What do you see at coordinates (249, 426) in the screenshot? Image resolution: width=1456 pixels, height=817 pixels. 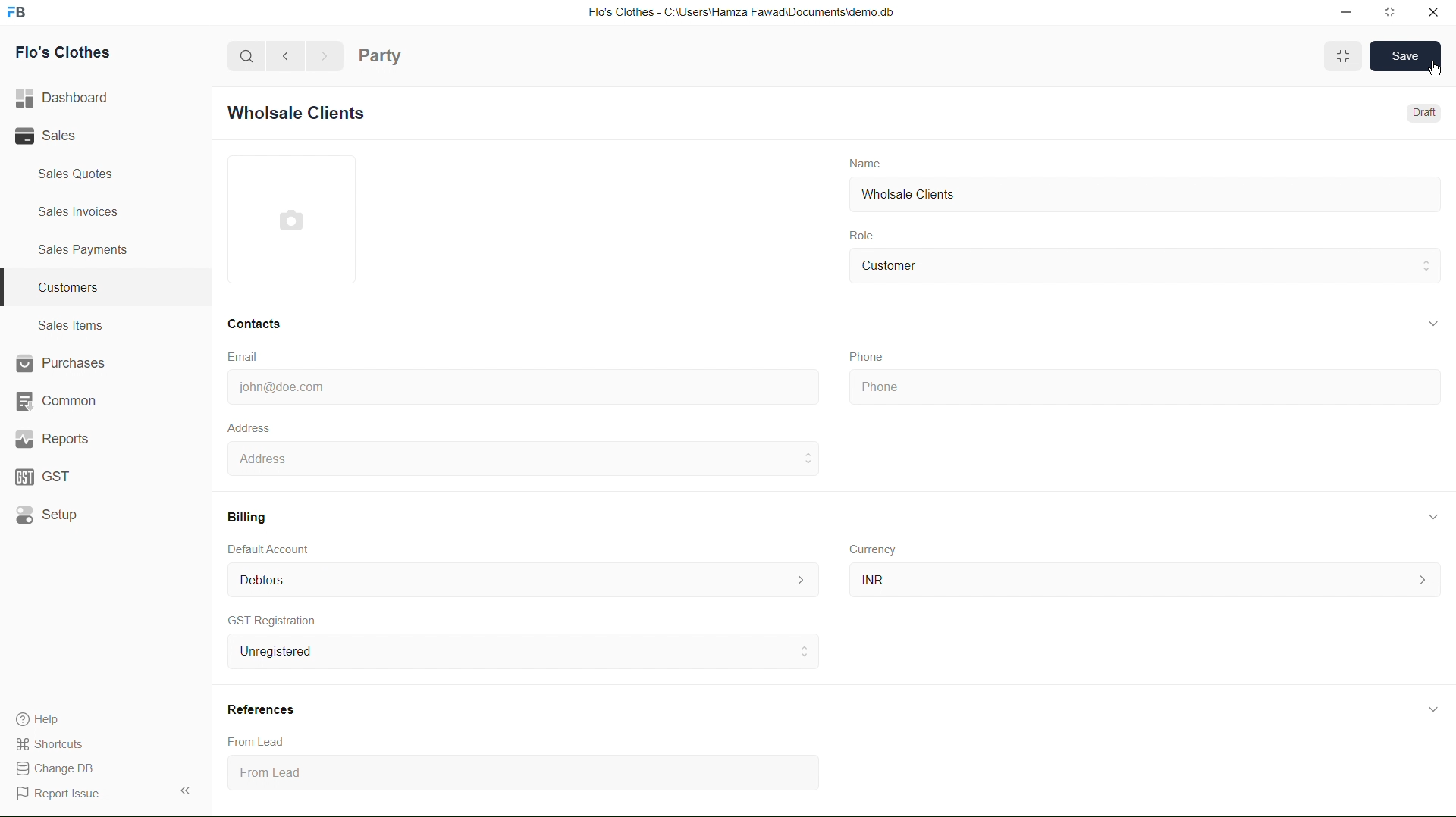 I see `Address` at bounding box center [249, 426].